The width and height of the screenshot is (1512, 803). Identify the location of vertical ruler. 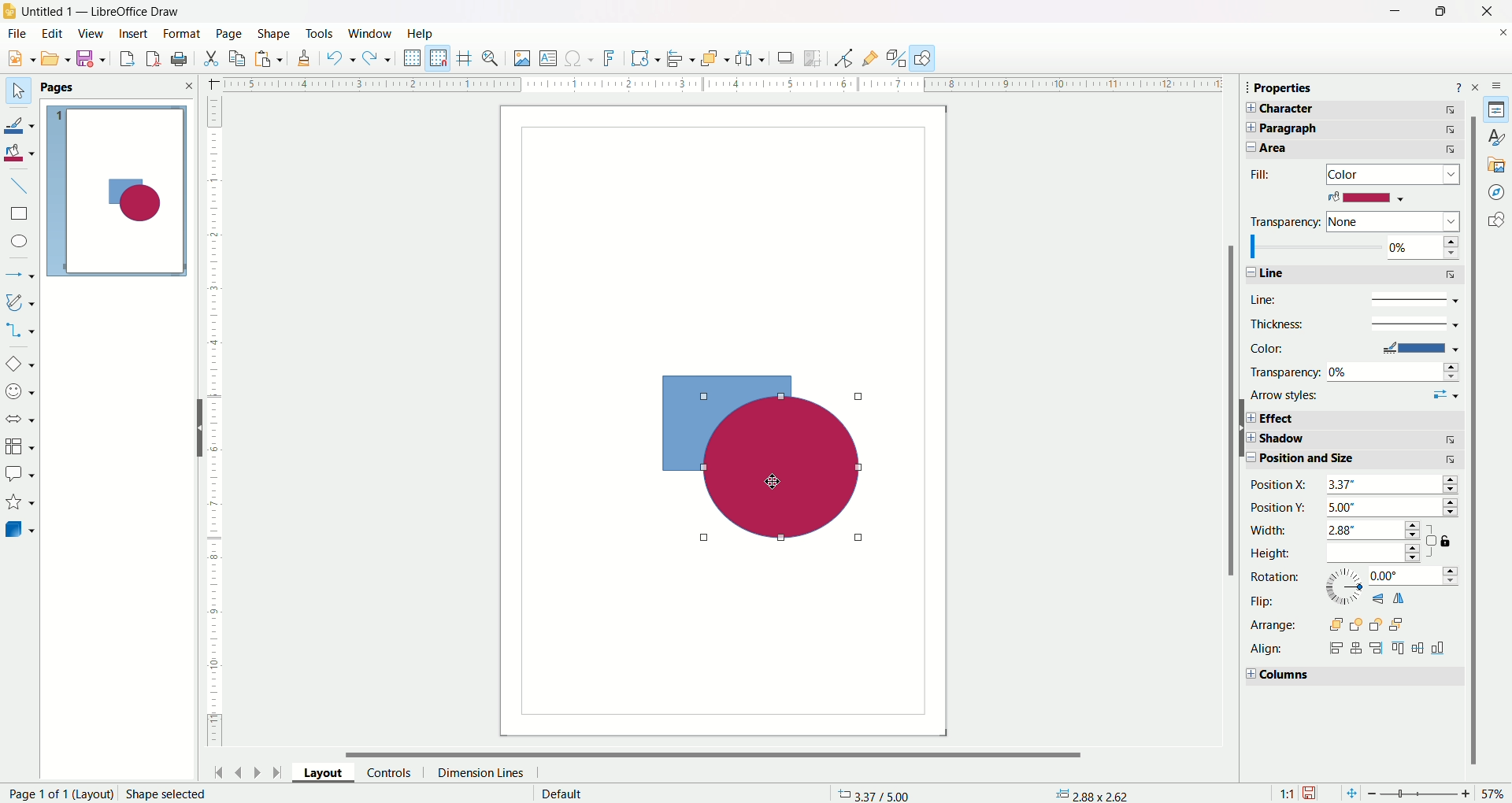
(214, 423).